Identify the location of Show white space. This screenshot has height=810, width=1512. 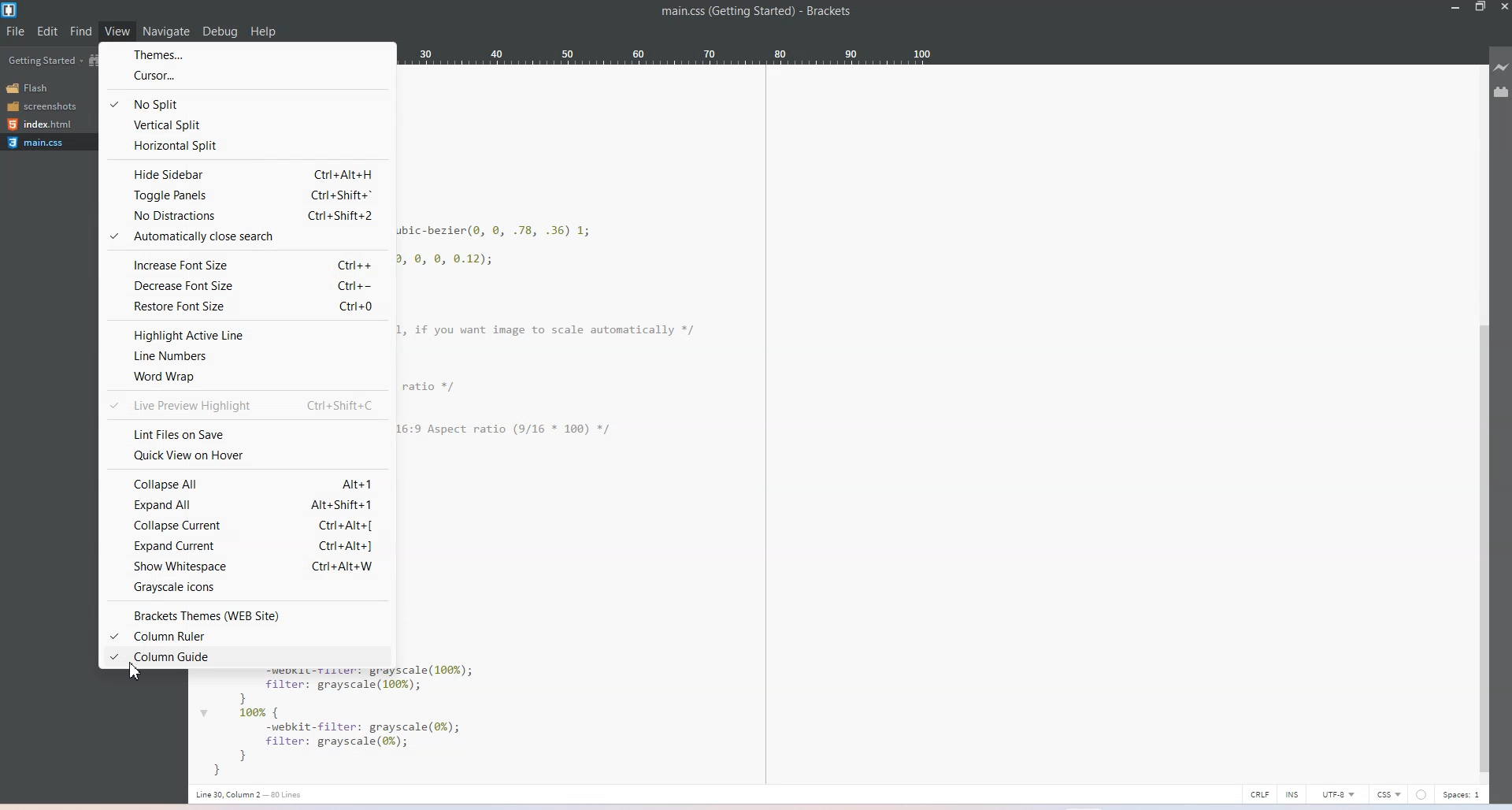
(249, 567).